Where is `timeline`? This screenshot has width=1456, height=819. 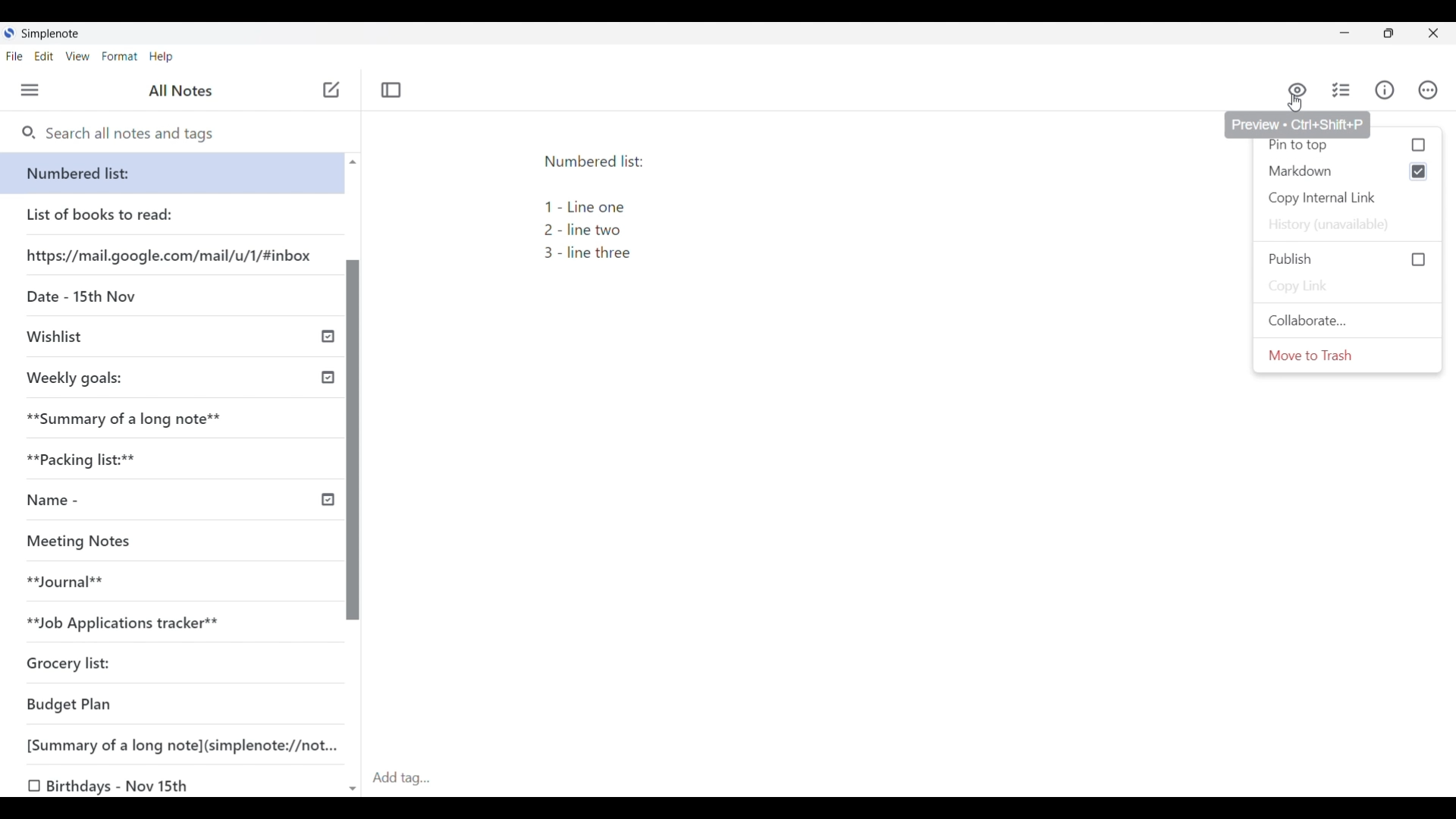
timeline is located at coordinates (329, 499).